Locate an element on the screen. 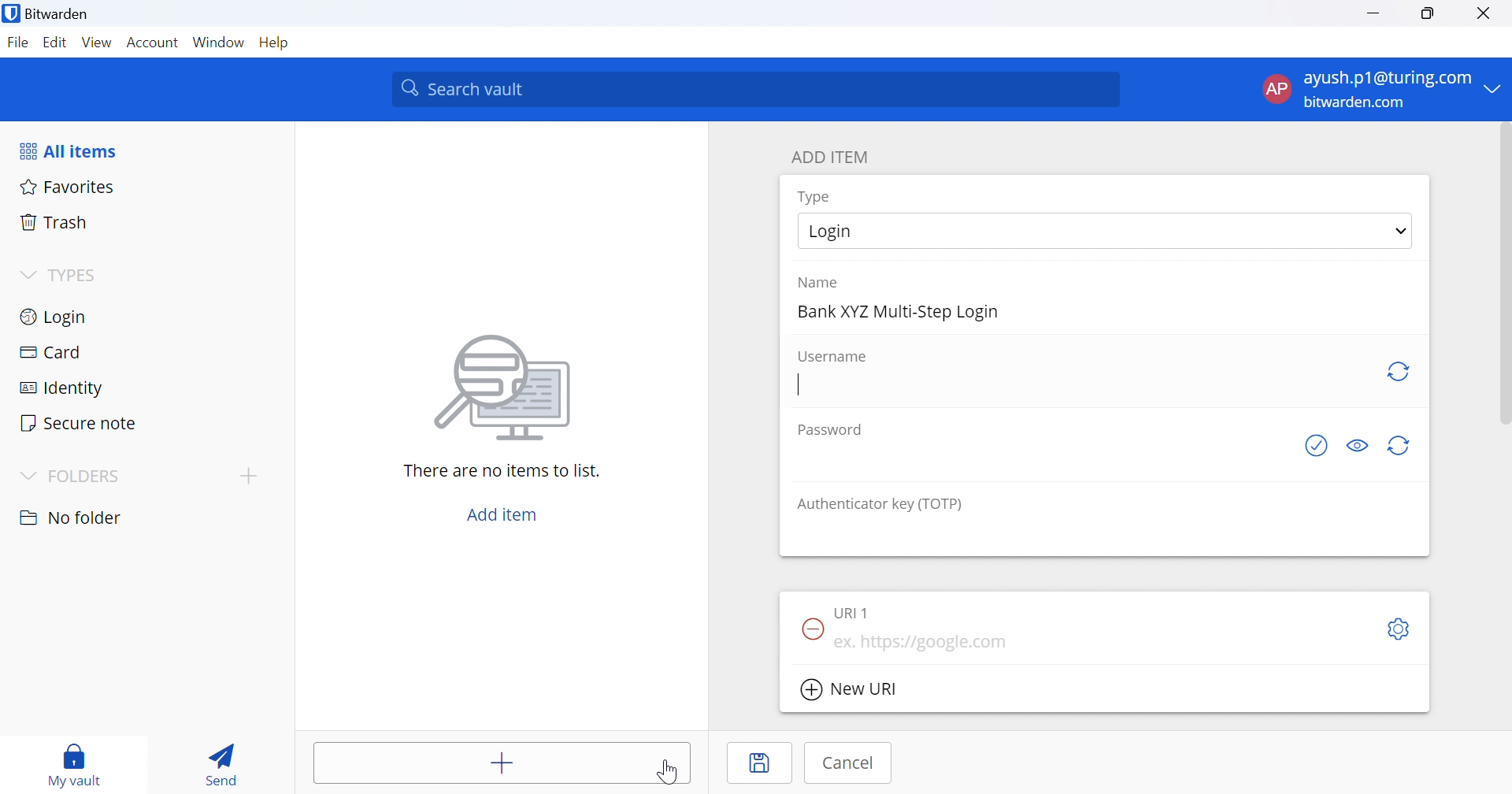 The width and height of the screenshot is (1512, 794). Regenerate Password is located at coordinates (1402, 445).